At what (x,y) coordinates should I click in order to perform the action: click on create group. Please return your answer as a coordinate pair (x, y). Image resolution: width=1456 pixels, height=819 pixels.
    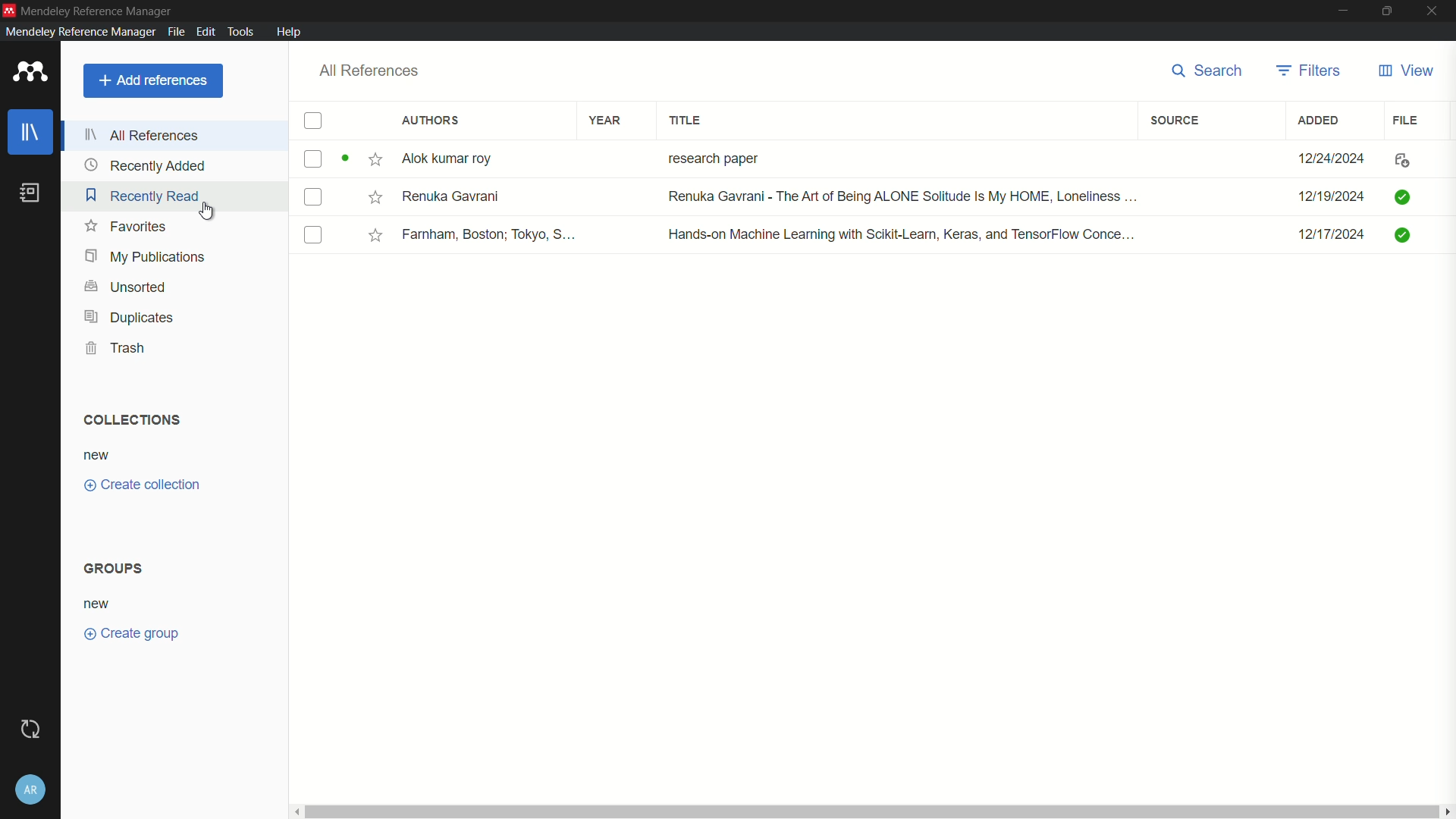
    Looking at the image, I should click on (132, 633).